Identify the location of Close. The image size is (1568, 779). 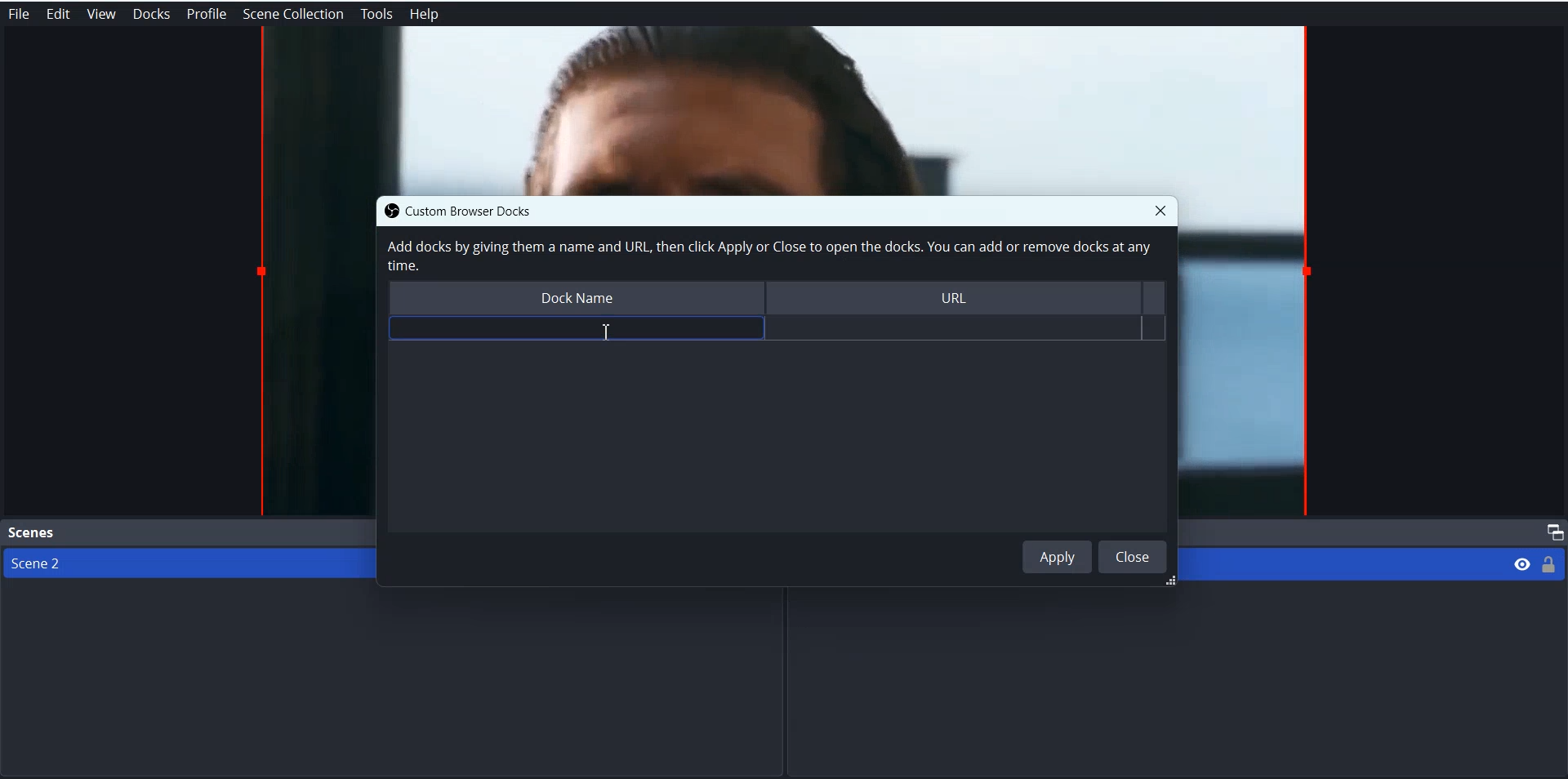
(1133, 556).